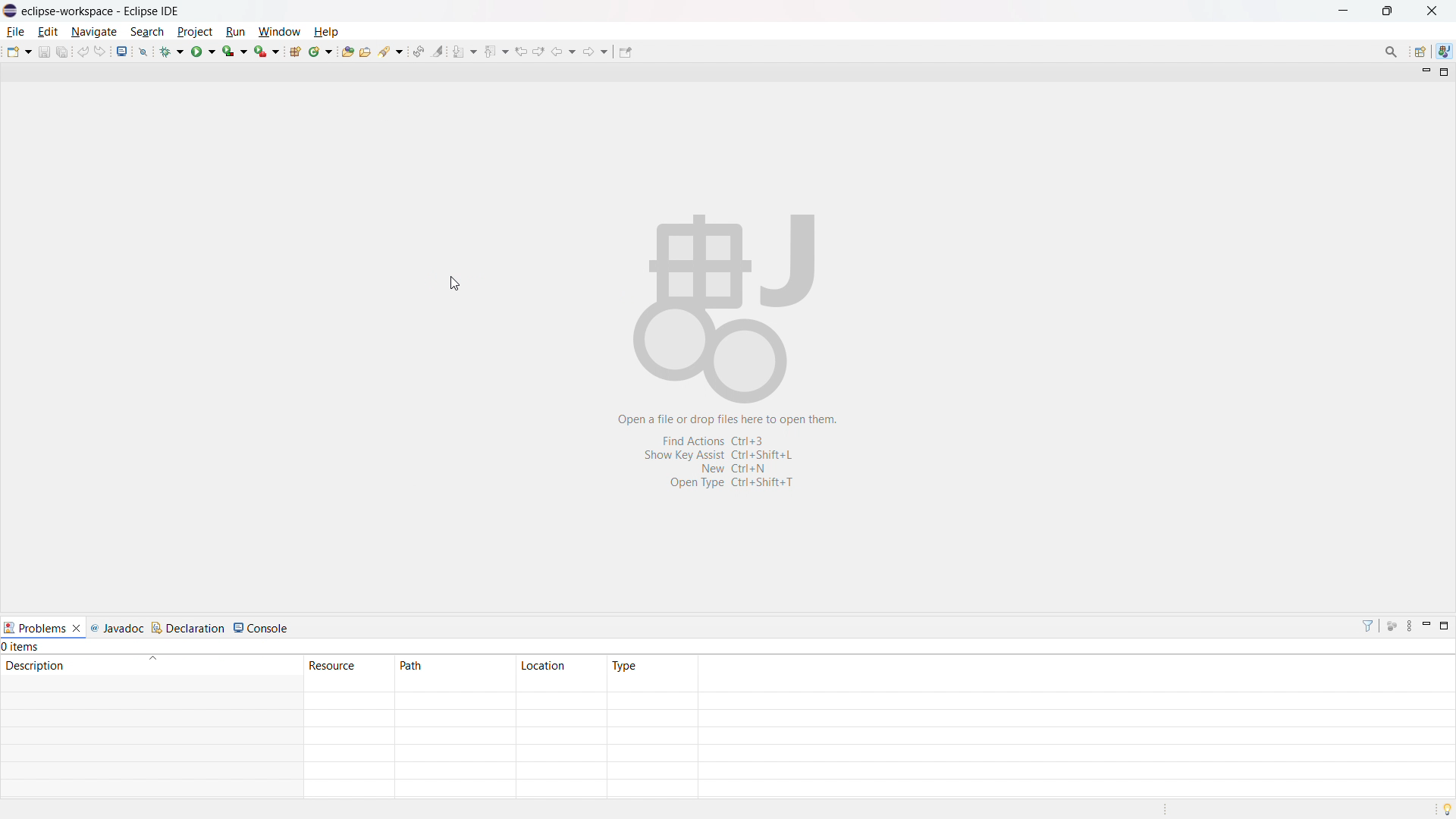 This screenshot has height=819, width=1456. What do you see at coordinates (730, 421) in the screenshot?
I see `Open a file or drop files here to open them.` at bounding box center [730, 421].